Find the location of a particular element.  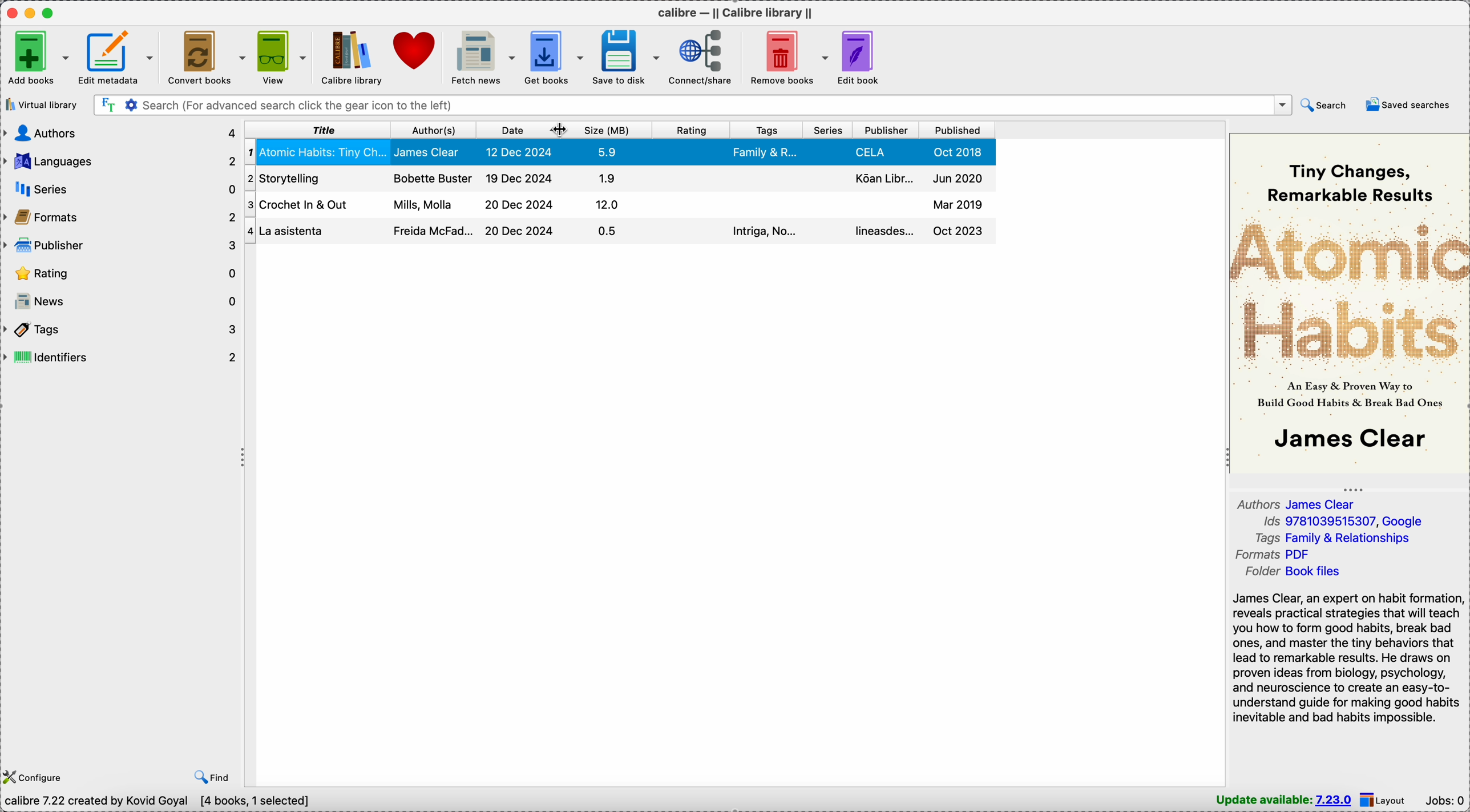

author(s) is located at coordinates (432, 131).